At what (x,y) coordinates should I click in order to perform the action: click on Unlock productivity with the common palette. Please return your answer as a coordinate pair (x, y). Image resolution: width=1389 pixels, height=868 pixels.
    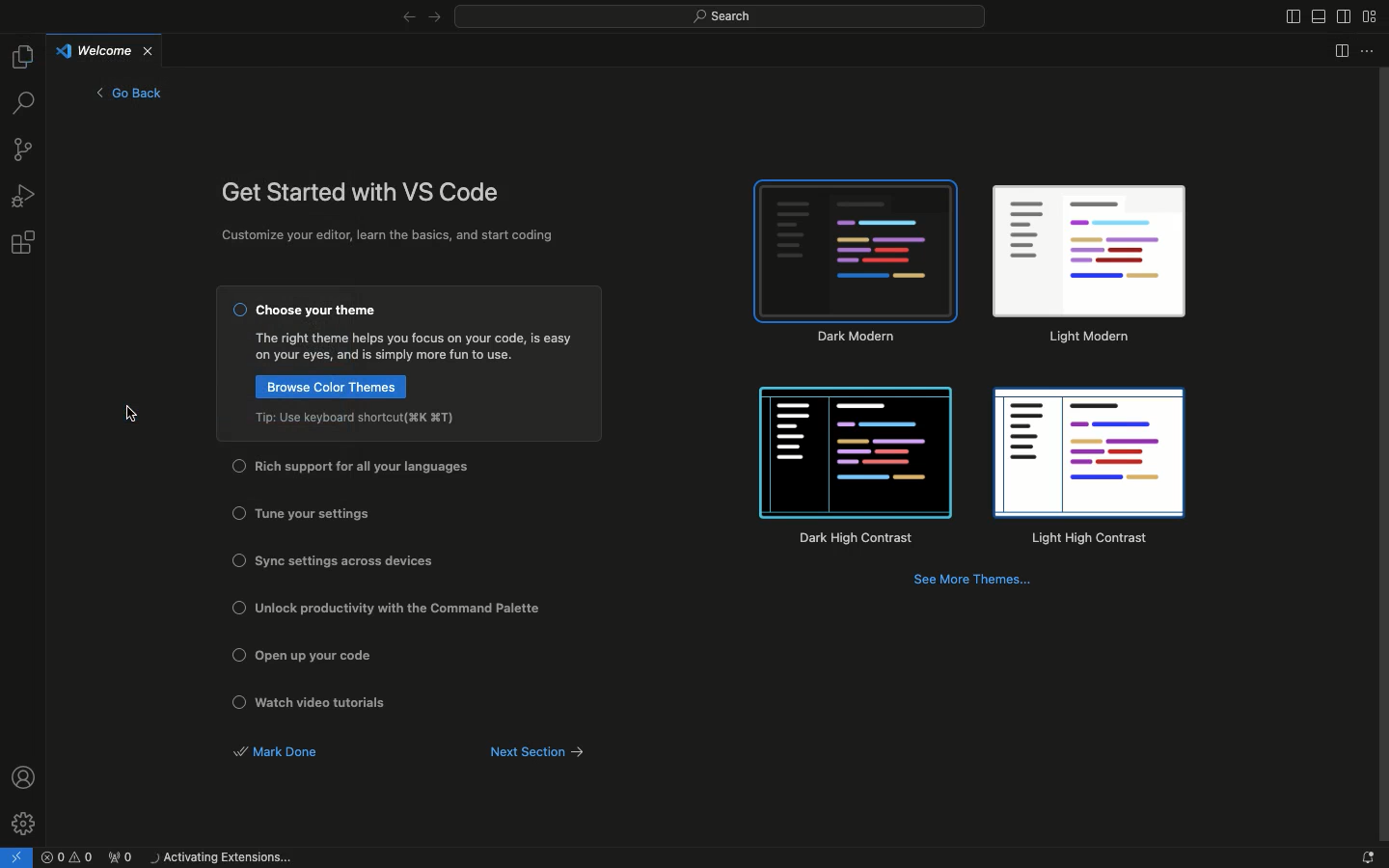
    Looking at the image, I should click on (404, 609).